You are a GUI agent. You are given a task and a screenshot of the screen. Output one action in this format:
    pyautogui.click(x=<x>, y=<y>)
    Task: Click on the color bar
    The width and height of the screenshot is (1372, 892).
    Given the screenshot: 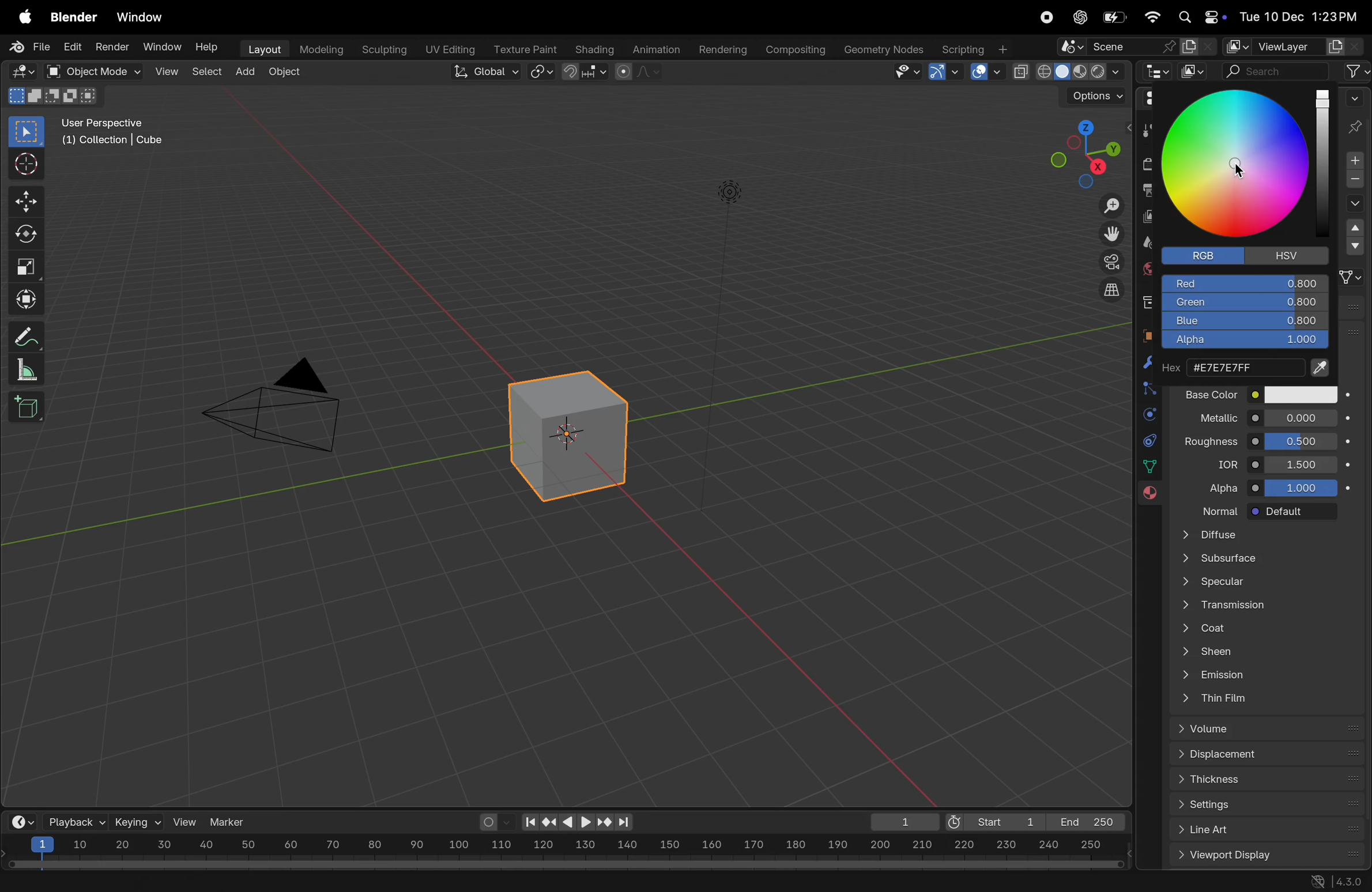 What is the action you would take?
    pyautogui.click(x=1324, y=158)
    